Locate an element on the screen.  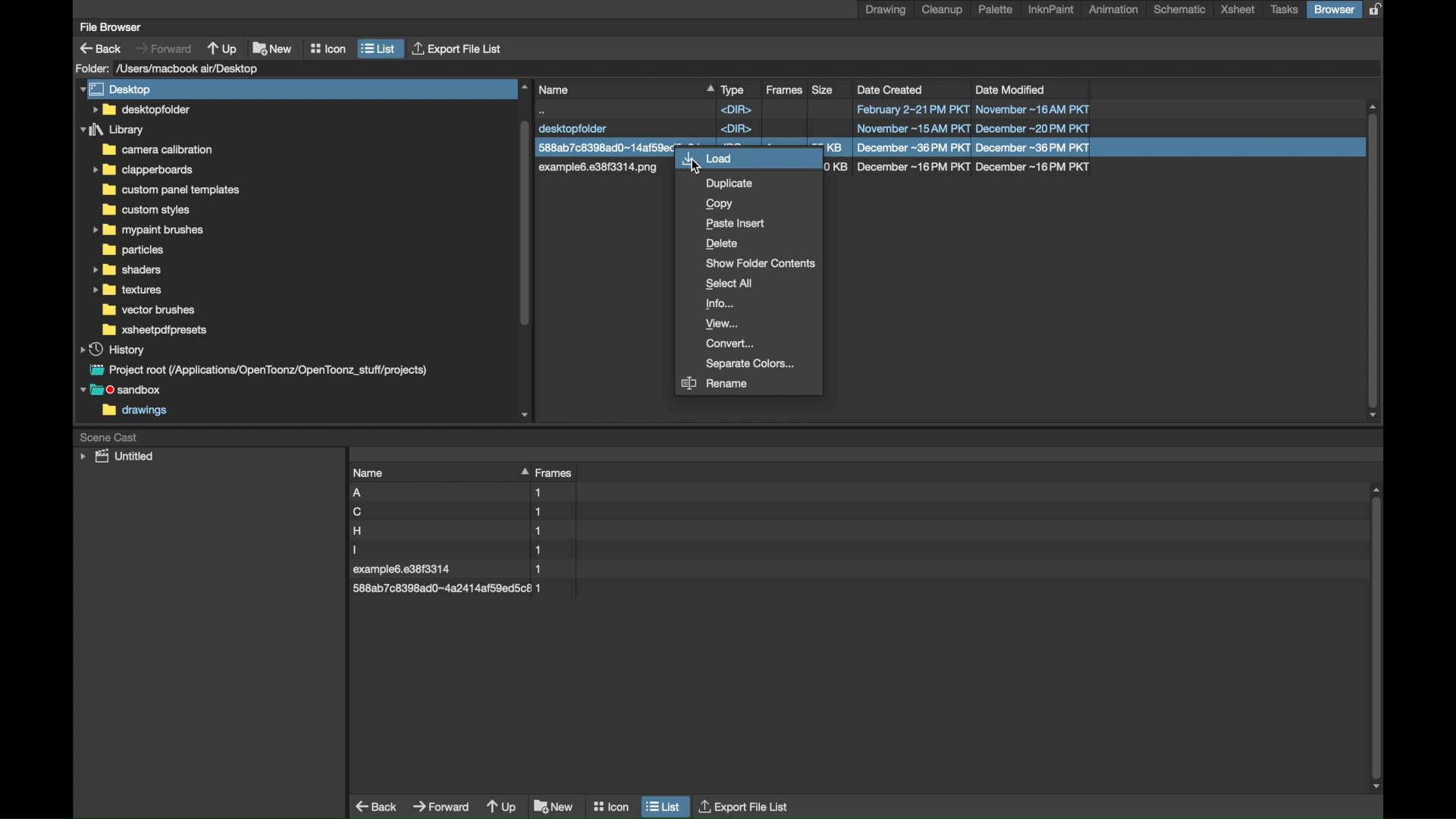
frames is located at coordinates (557, 473).